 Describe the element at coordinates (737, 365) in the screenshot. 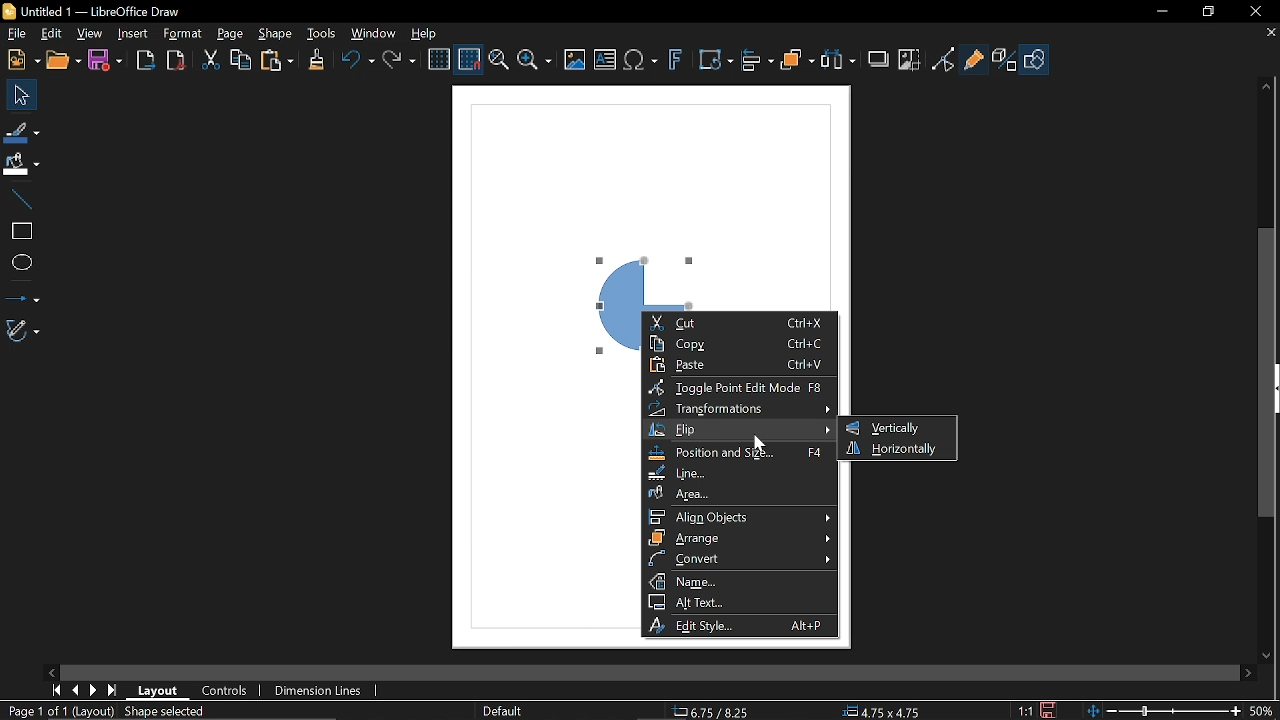

I see `Paste    Ctrl+V` at that location.